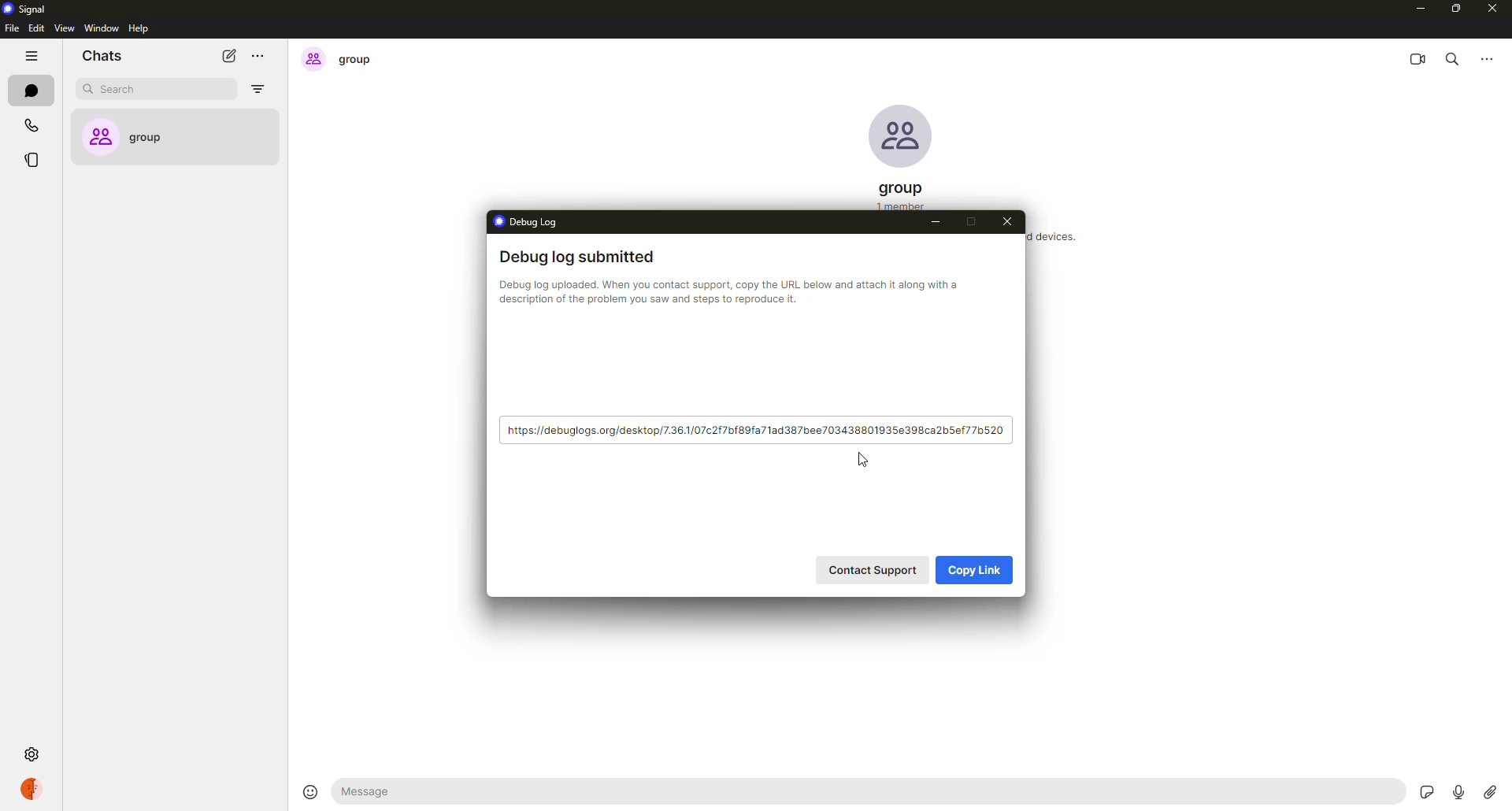 This screenshot has height=811, width=1512. I want to click on edit, so click(35, 29).